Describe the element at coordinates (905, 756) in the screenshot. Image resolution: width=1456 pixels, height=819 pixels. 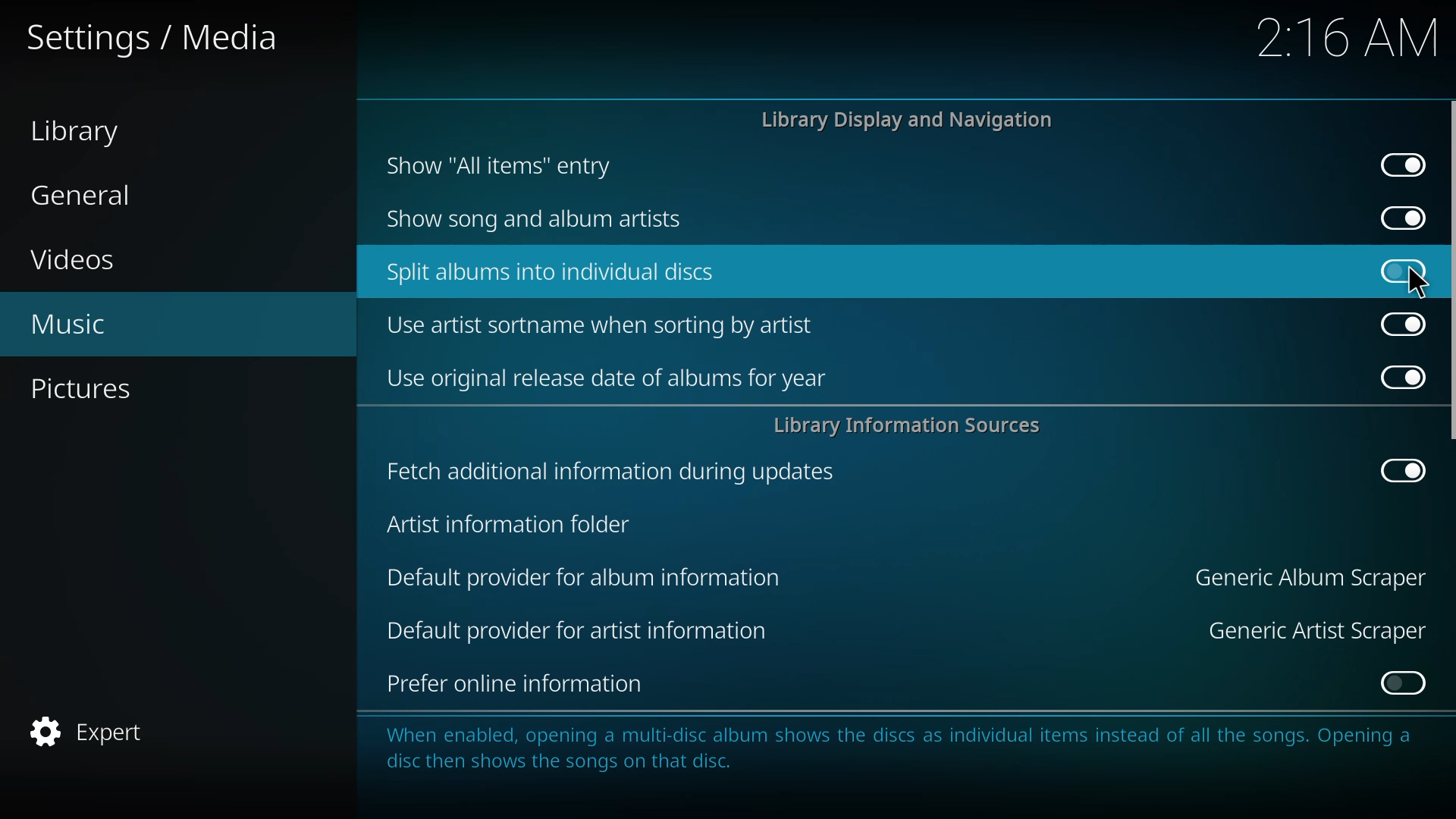
I see `info` at that location.